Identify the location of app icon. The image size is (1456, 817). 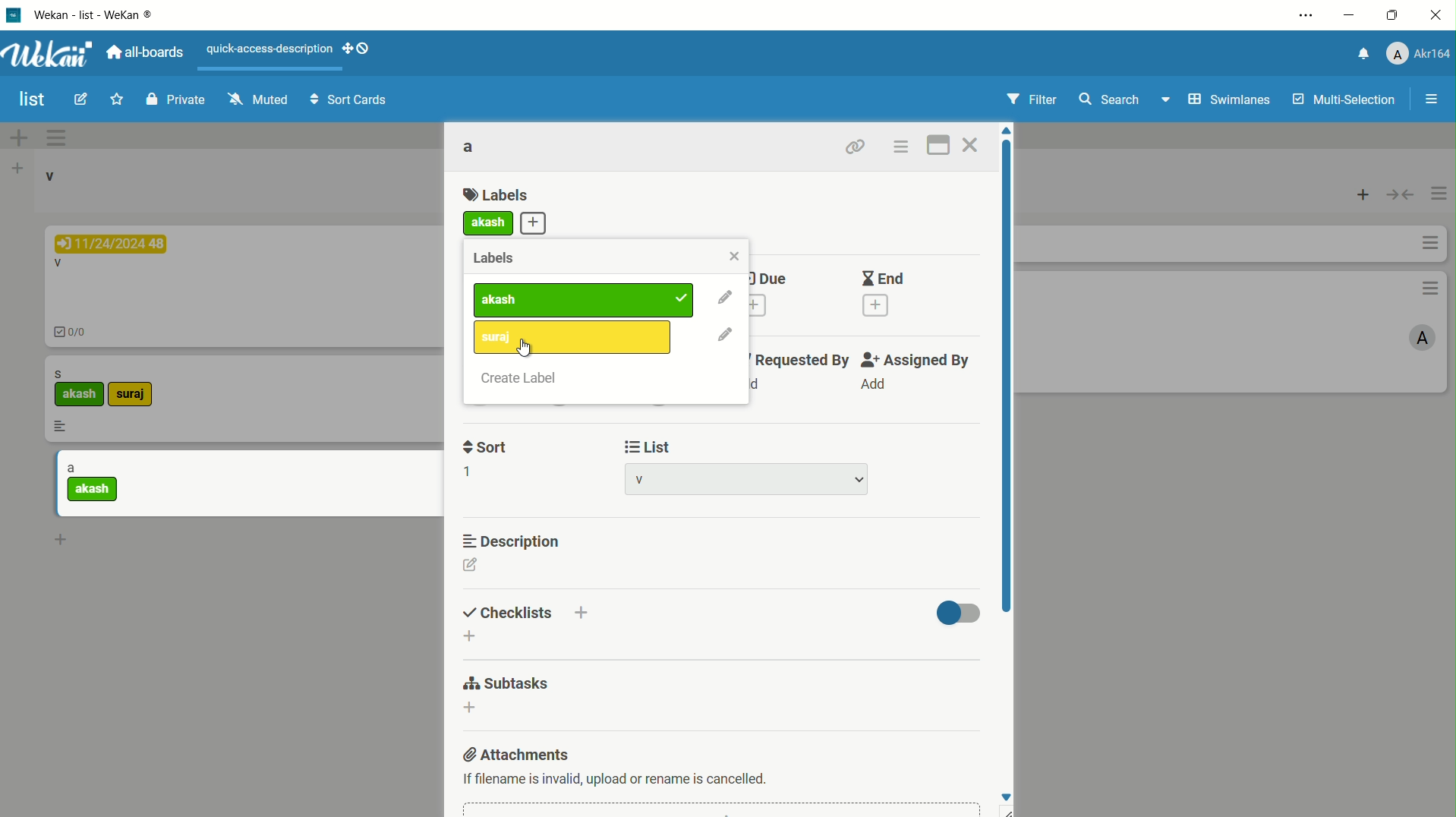
(15, 14).